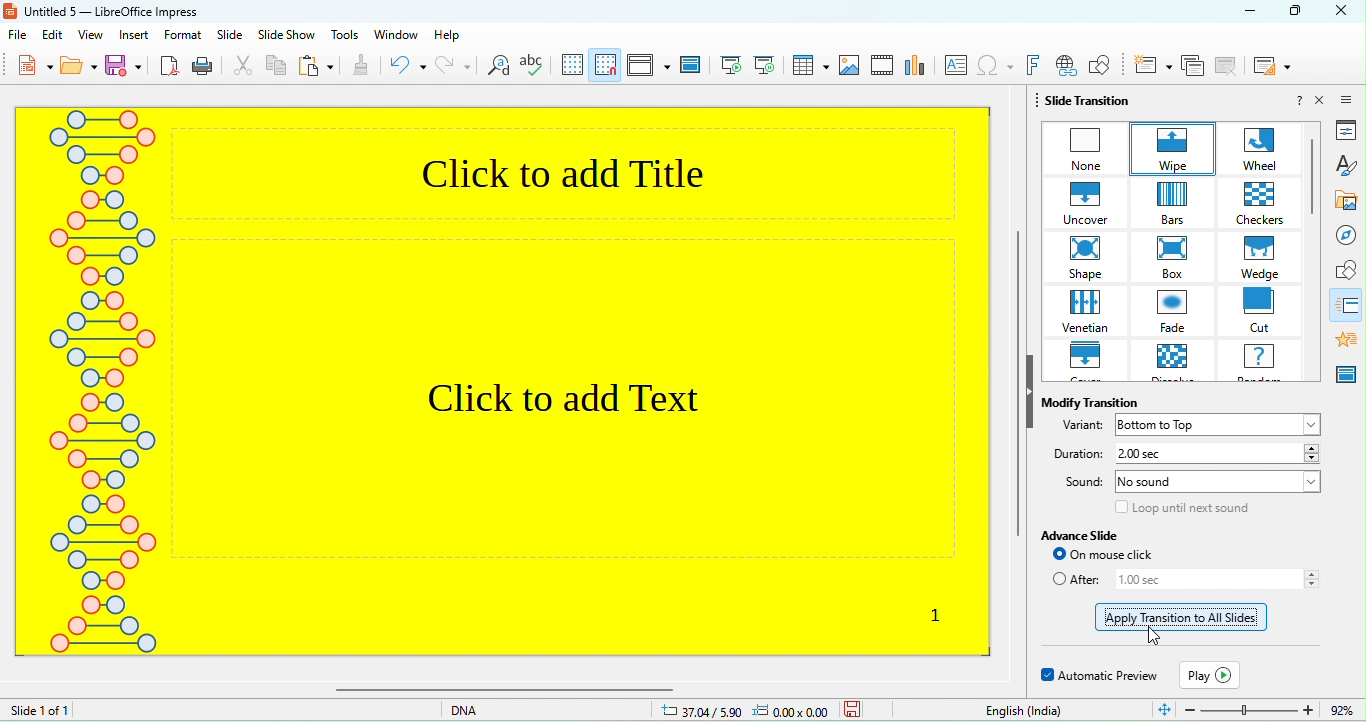 The width and height of the screenshot is (1366, 722). What do you see at coordinates (480, 711) in the screenshot?
I see `dna` at bounding box center [480, 711].